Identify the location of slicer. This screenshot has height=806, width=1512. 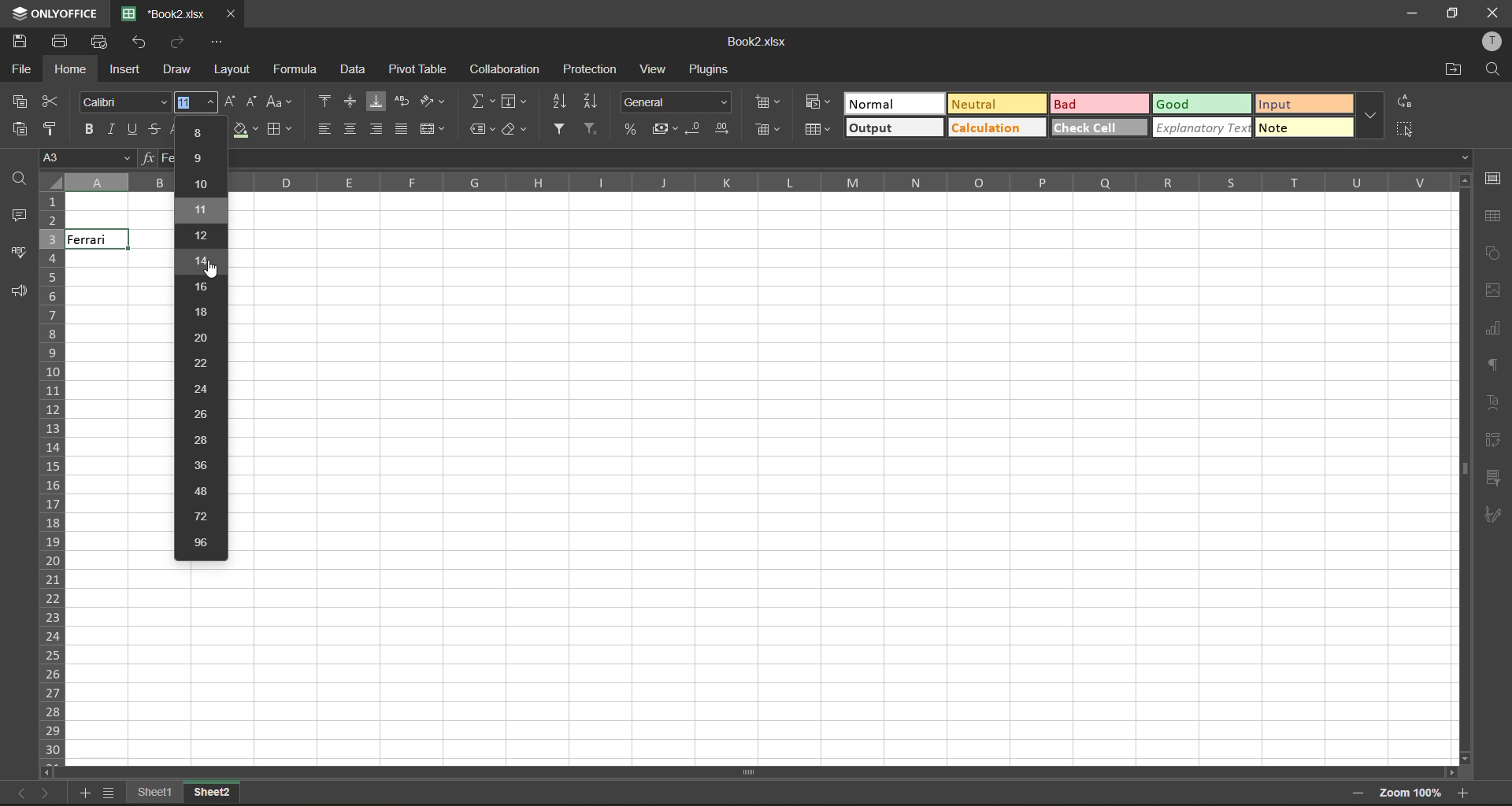
(1494, 477).